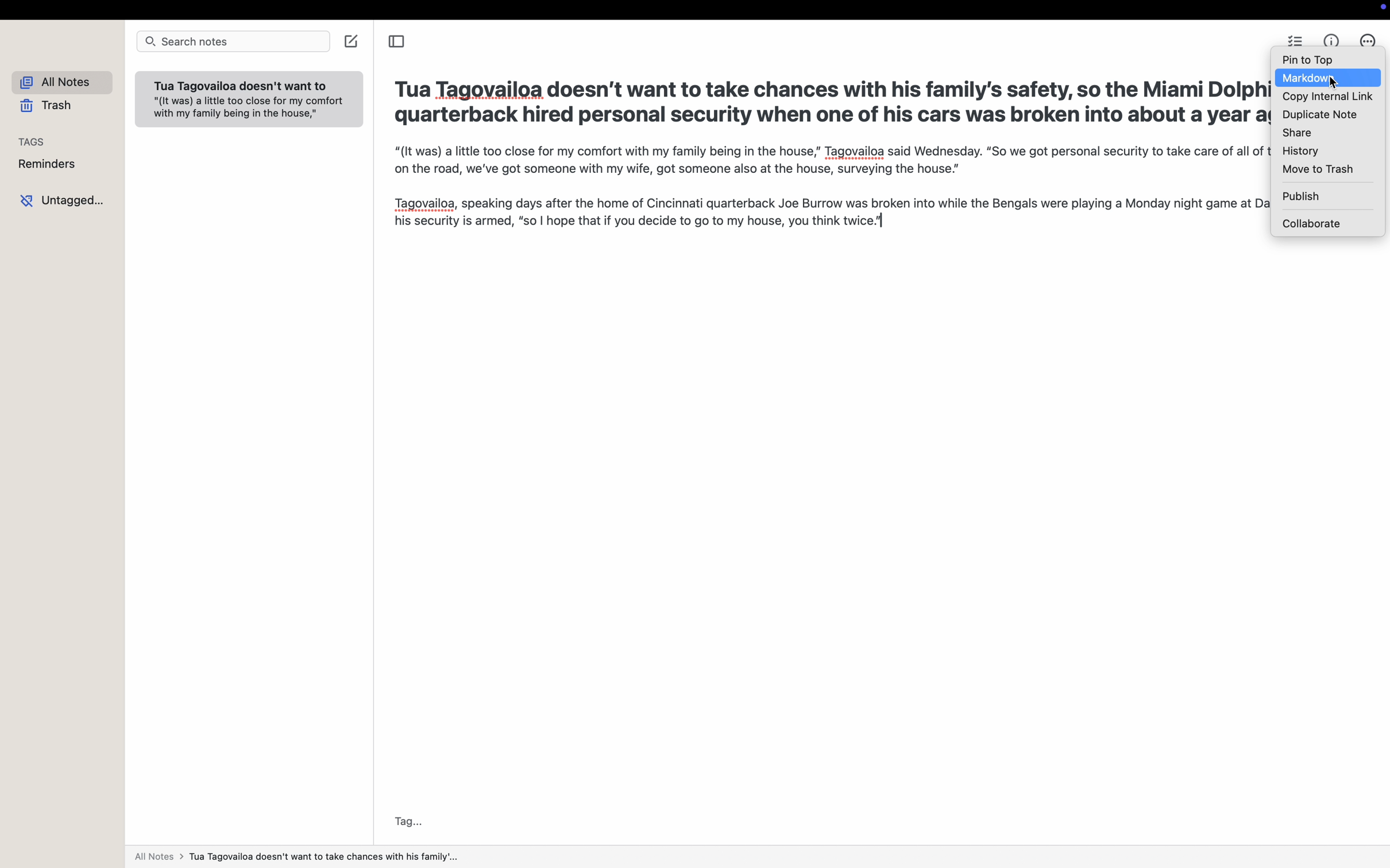  What do you see at coordinates (29, 142) in the screenshot?
I see `tags` at bounding box center [29, 142].